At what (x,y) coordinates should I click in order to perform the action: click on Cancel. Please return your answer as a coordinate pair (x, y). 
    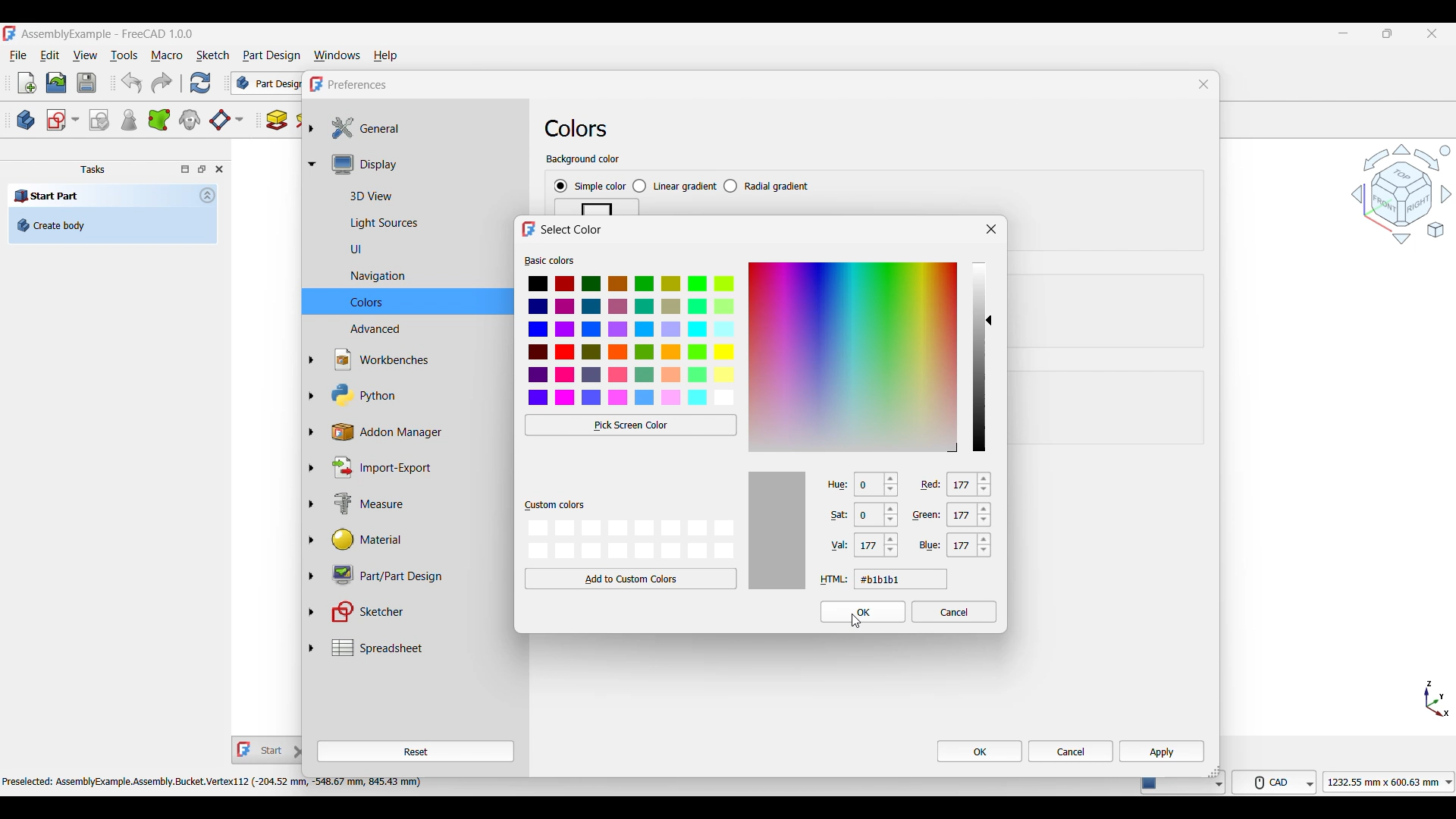
    Looking at the image, I should click on (1071, 752).